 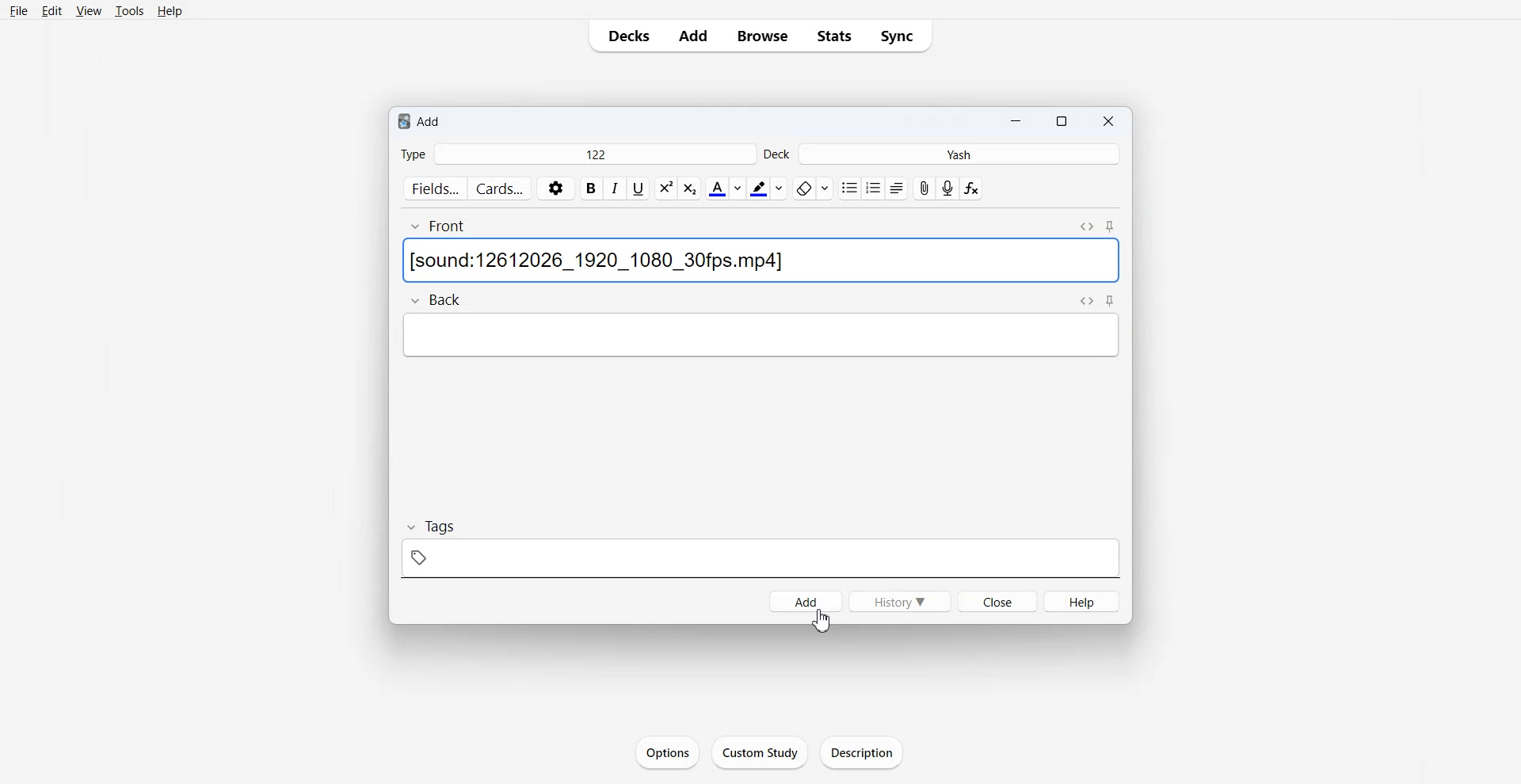 What do you see at coordinates (898, 36) in the screenshot?
I see `Sync` at bounding box center [898, 36].